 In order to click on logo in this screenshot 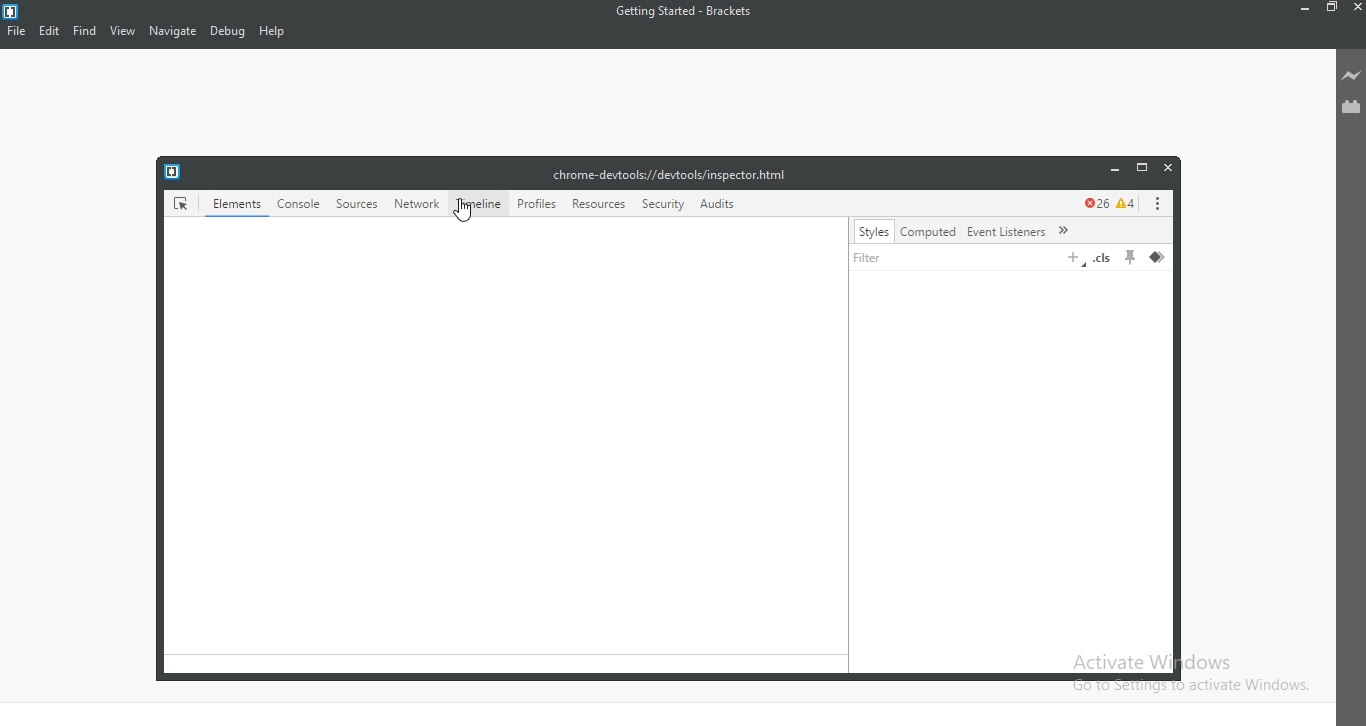, I will do `click(172, 172)`.